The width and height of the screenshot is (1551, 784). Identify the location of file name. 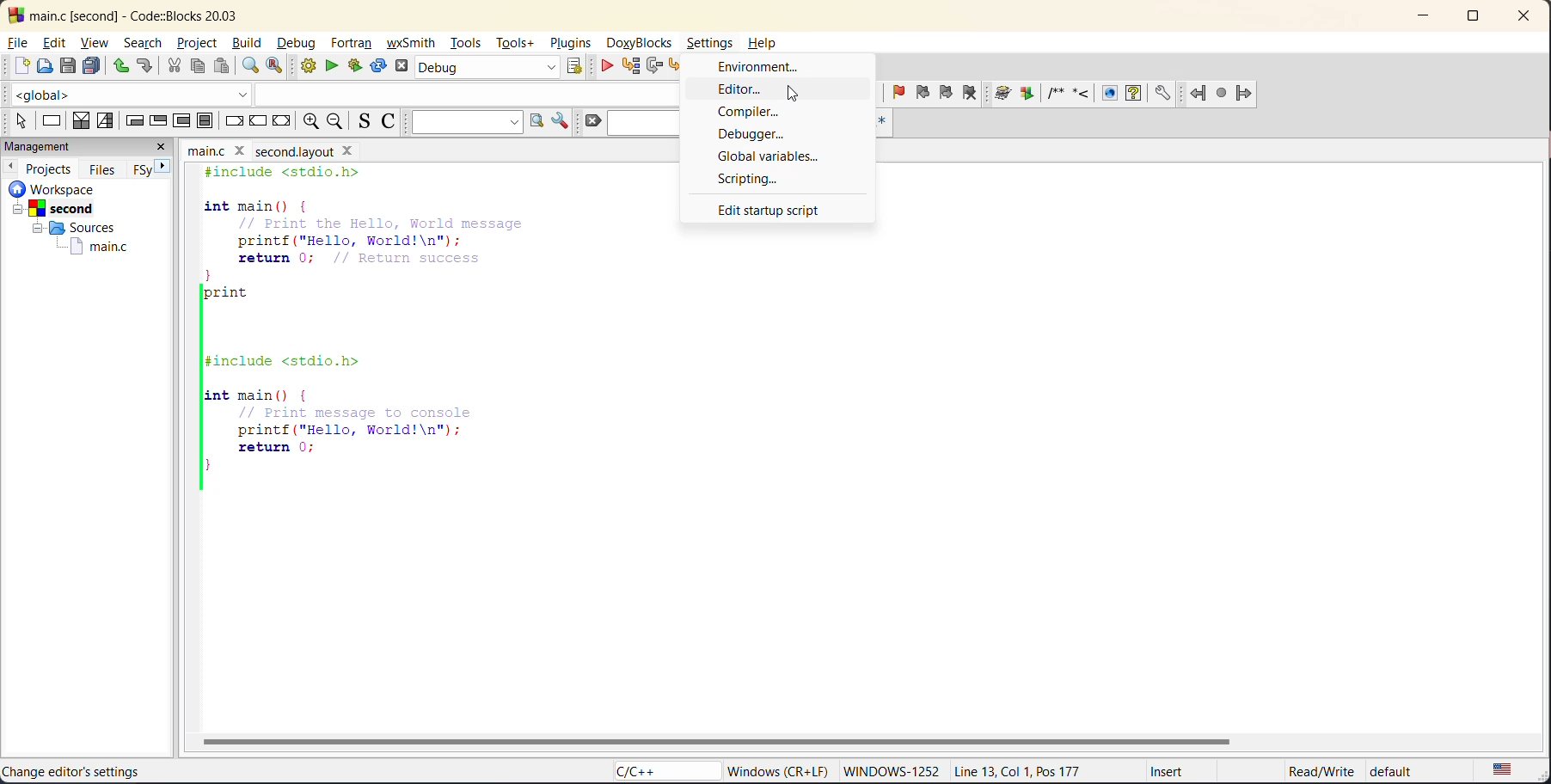
(218, 149).